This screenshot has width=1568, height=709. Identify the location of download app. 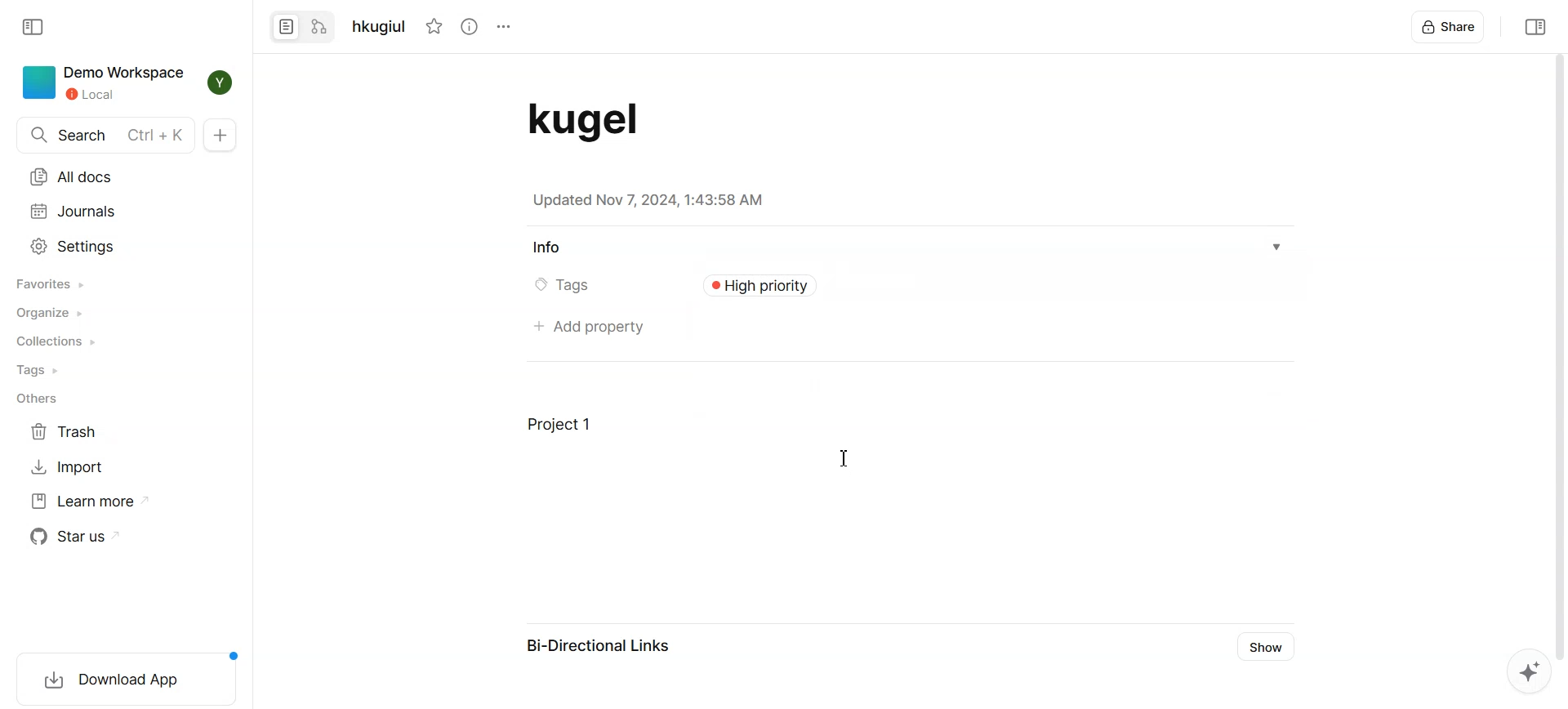
(125, 680).